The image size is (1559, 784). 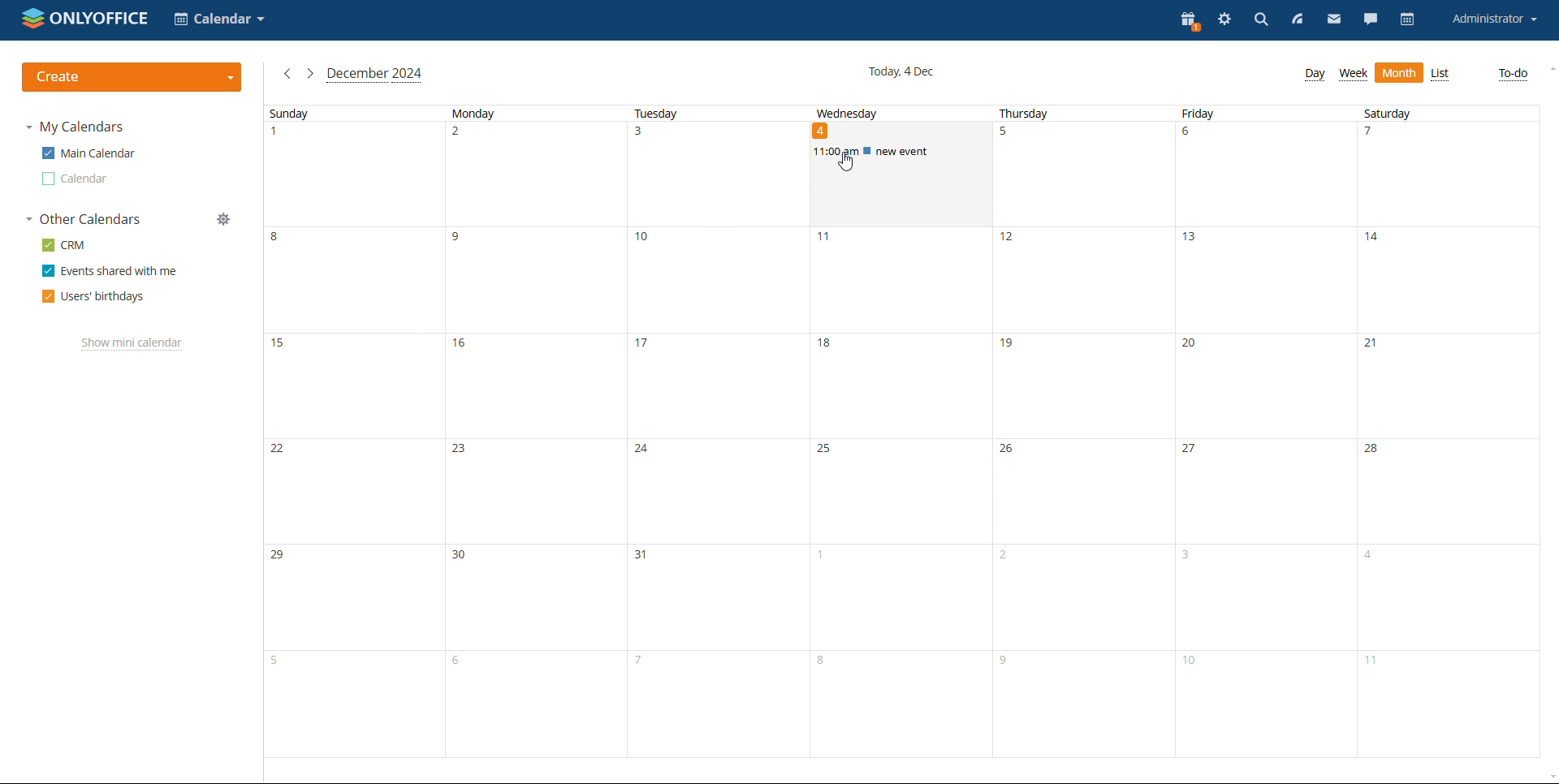 I want to click on friday, so click(x=1260, y=432).